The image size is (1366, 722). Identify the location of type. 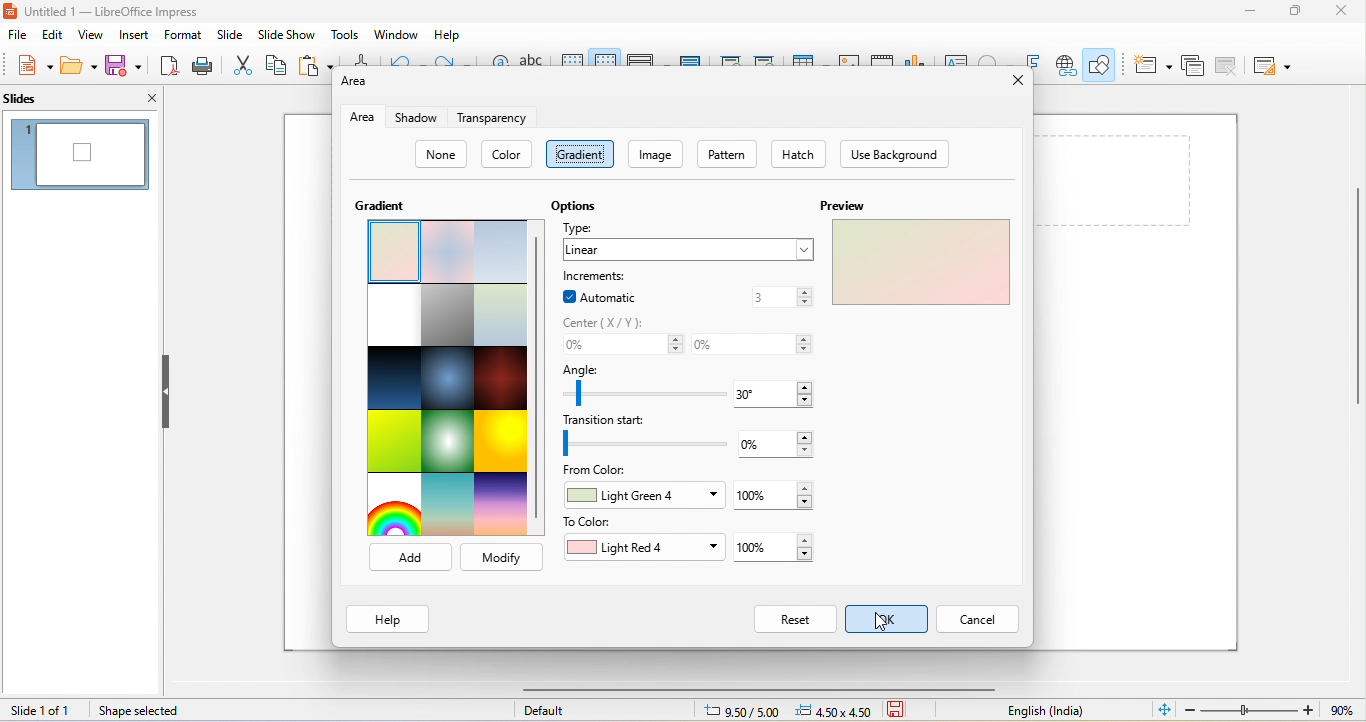
(577, 228).